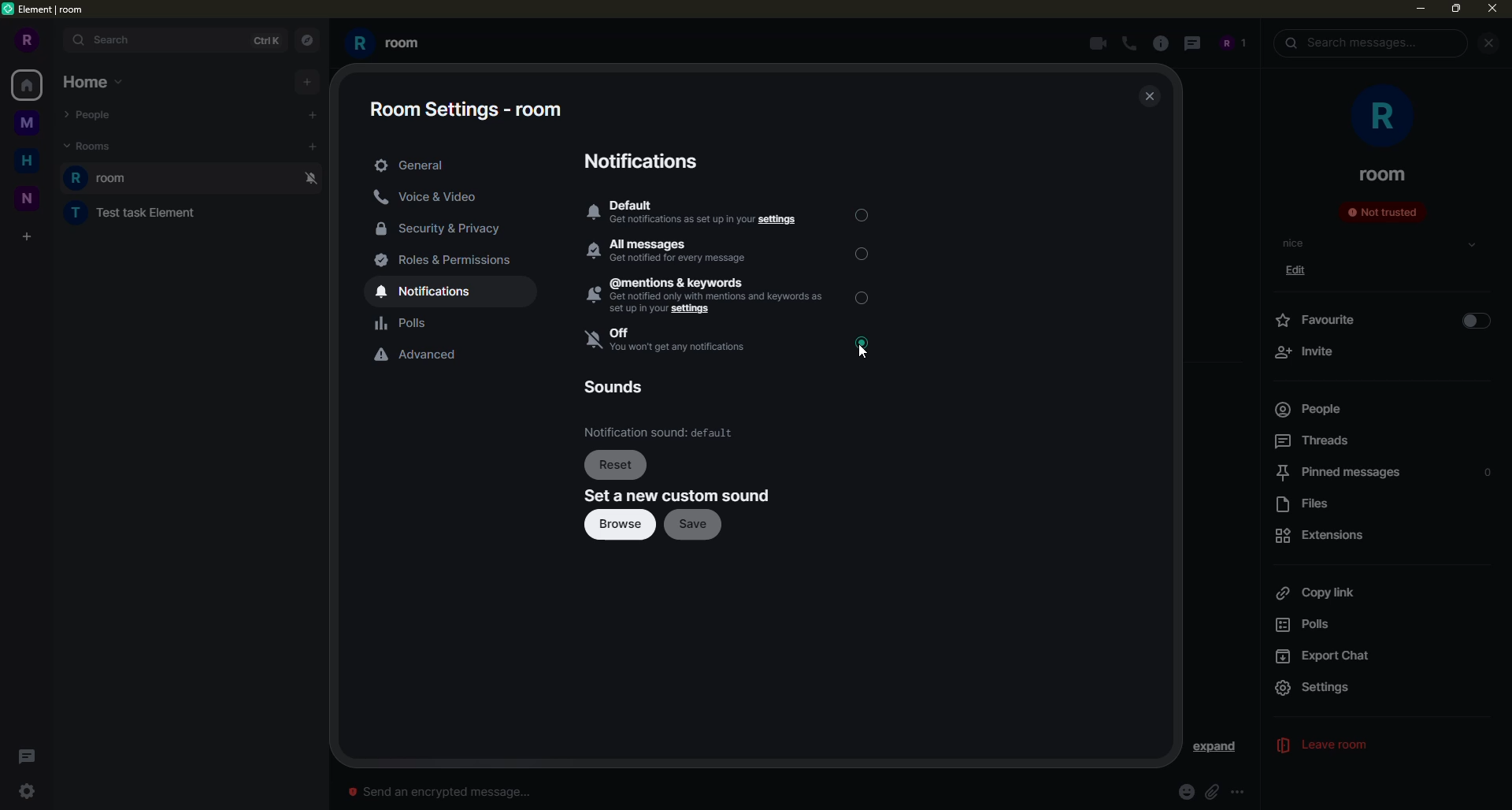 Image resolution: width=1512 pixels, height=810 pixels. Describe the element at coordinates (1313, 626) in the screenshot. I see `polls` at that location.